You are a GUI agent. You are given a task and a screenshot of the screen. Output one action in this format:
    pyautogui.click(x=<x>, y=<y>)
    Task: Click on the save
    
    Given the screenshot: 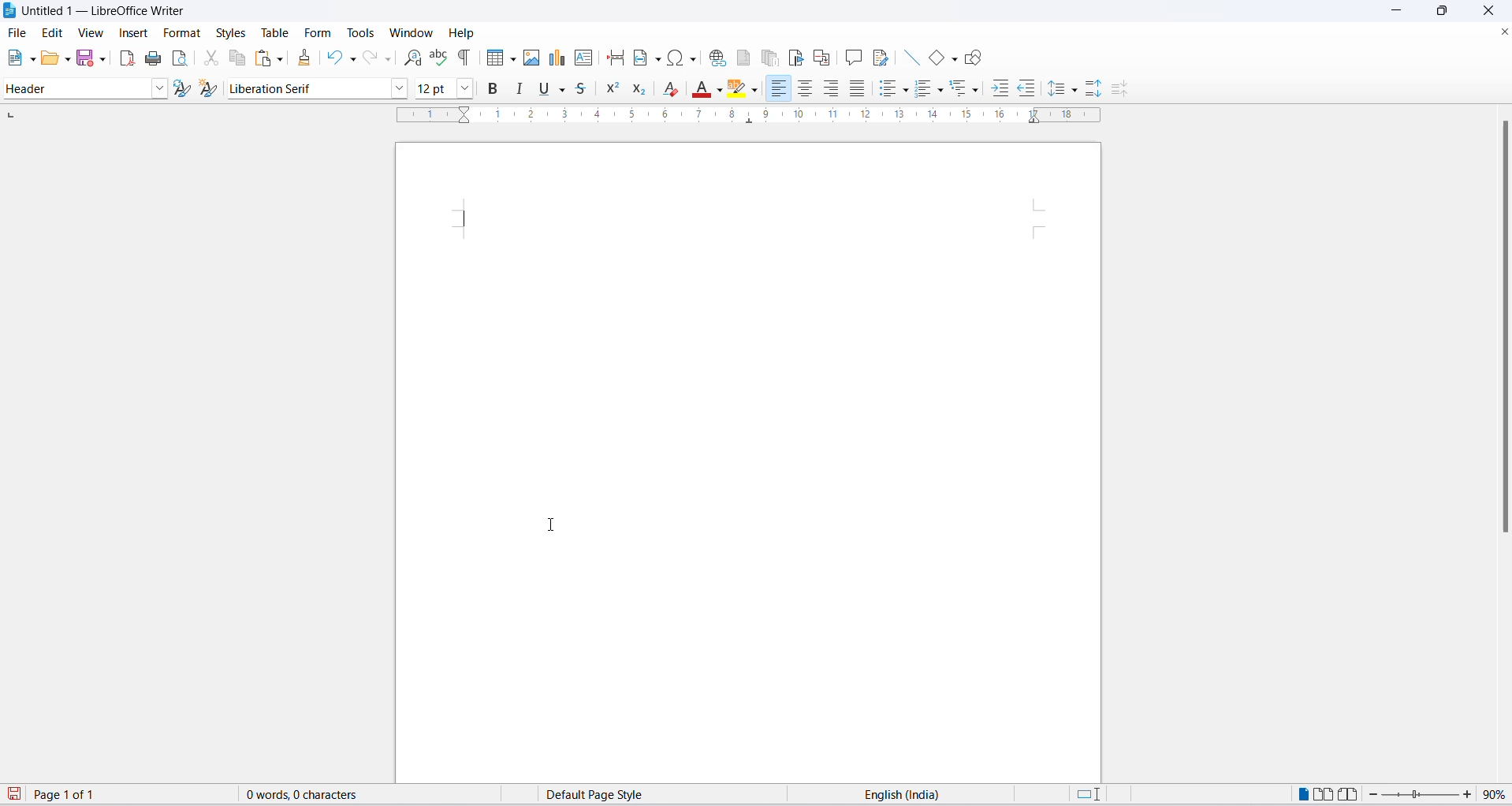 What is the action you would take?
    pyautogui.click(x=86, y=58)
    